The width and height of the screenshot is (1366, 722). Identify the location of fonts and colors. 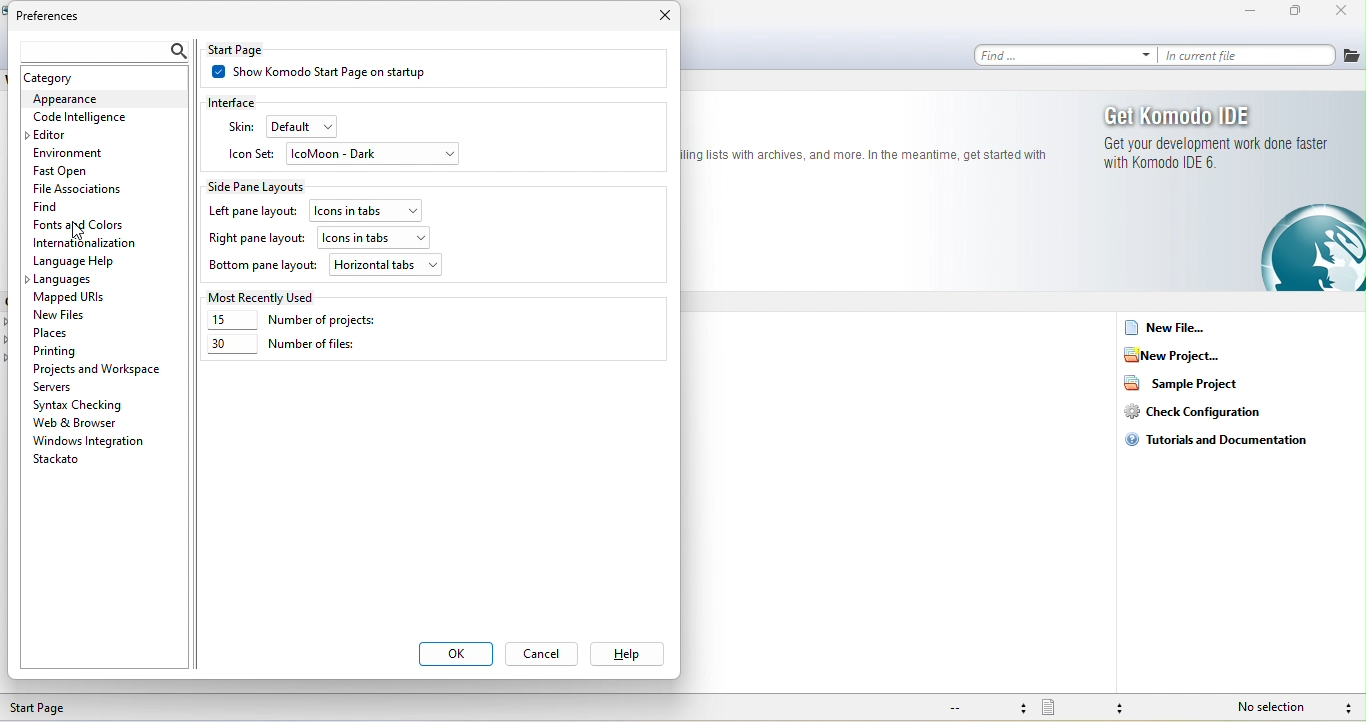
(97, 224).